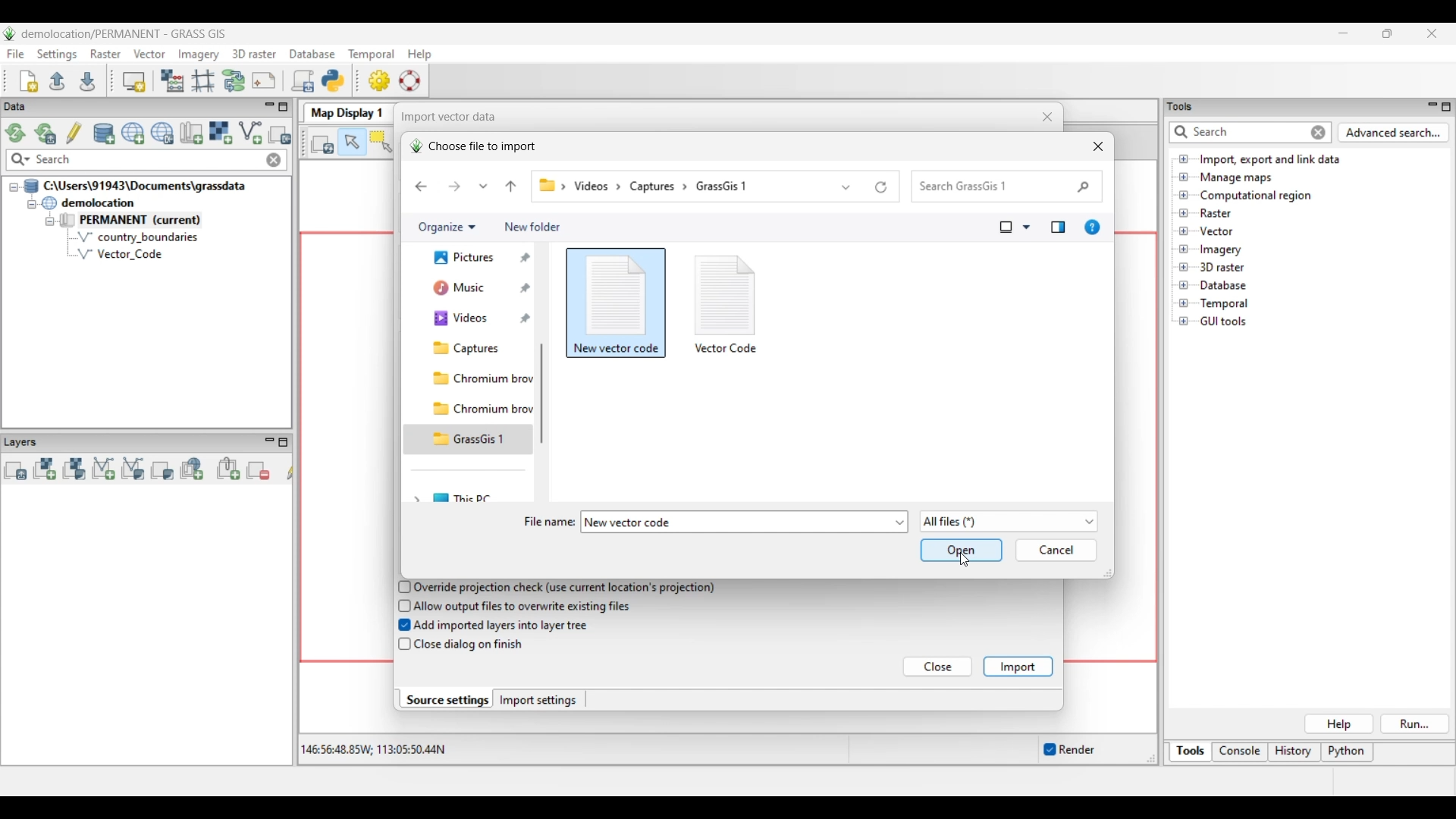 This screenshot has height=819, width=1456. I want to click on grassgis, so click(730, 187).